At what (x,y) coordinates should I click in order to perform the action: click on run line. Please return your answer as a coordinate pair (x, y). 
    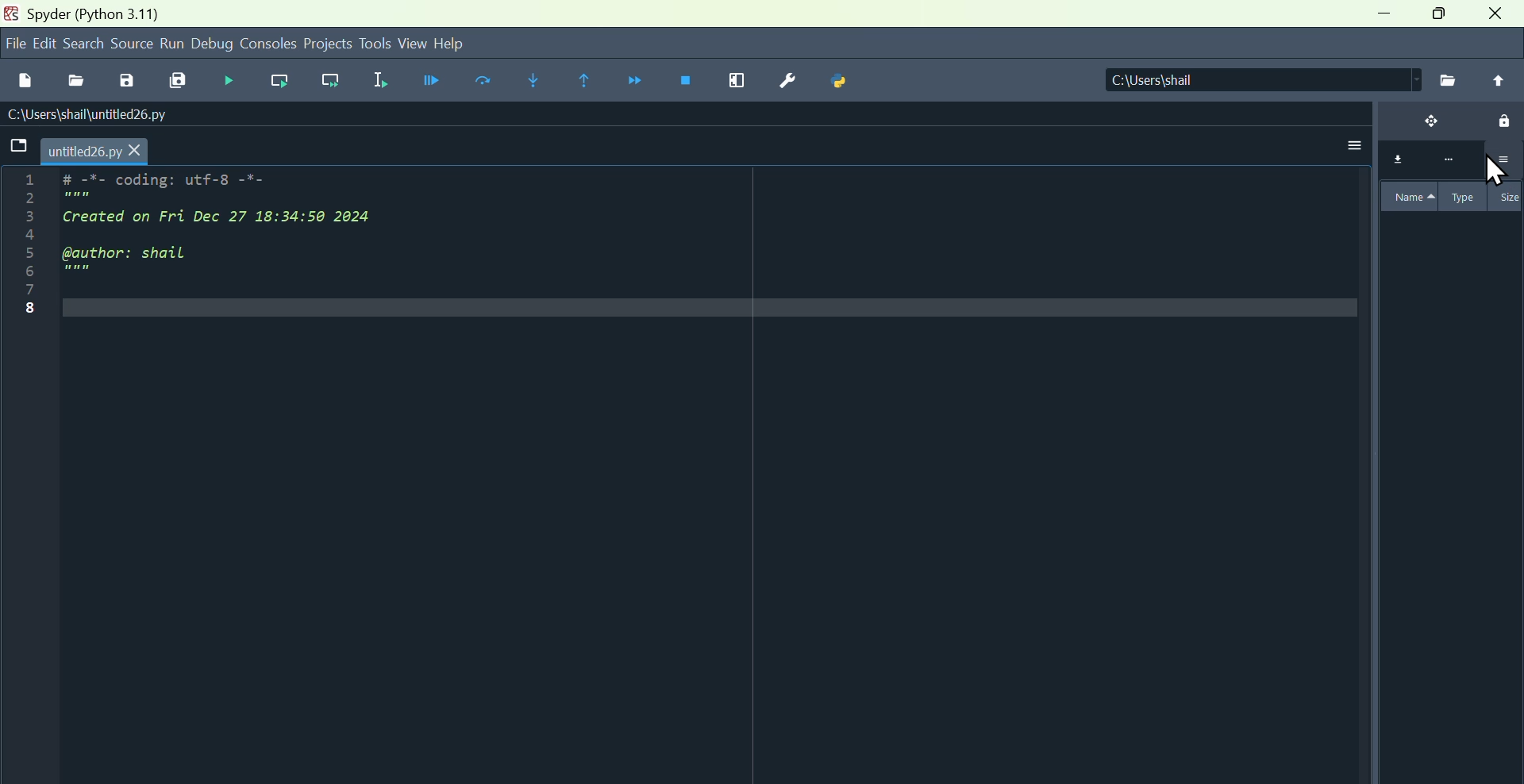
    Looking at the image, I should click on (275, 81).